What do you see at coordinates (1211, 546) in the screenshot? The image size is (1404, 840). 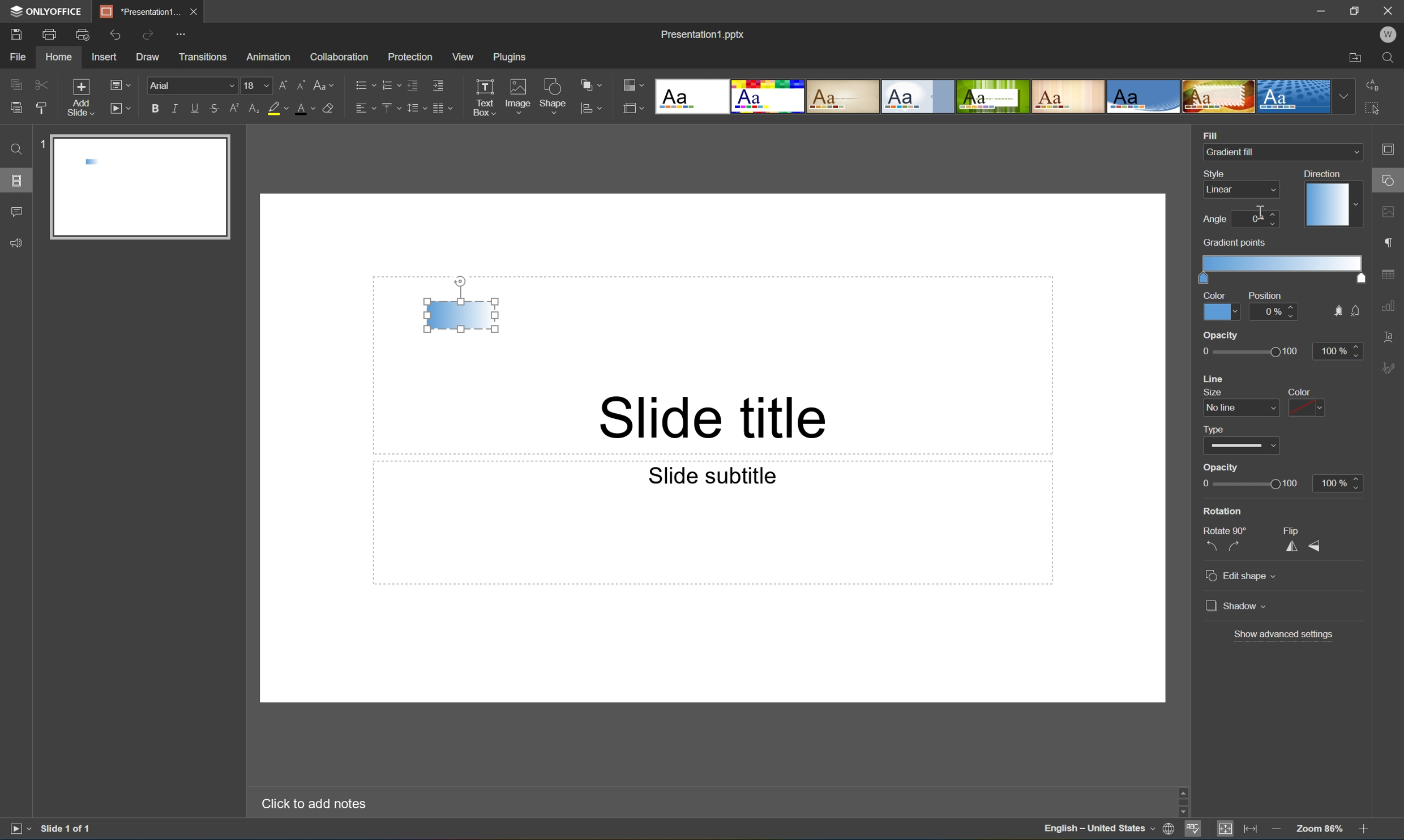 I see `Rotate 90° counterclockwise` at bounding box center [1211, 546].